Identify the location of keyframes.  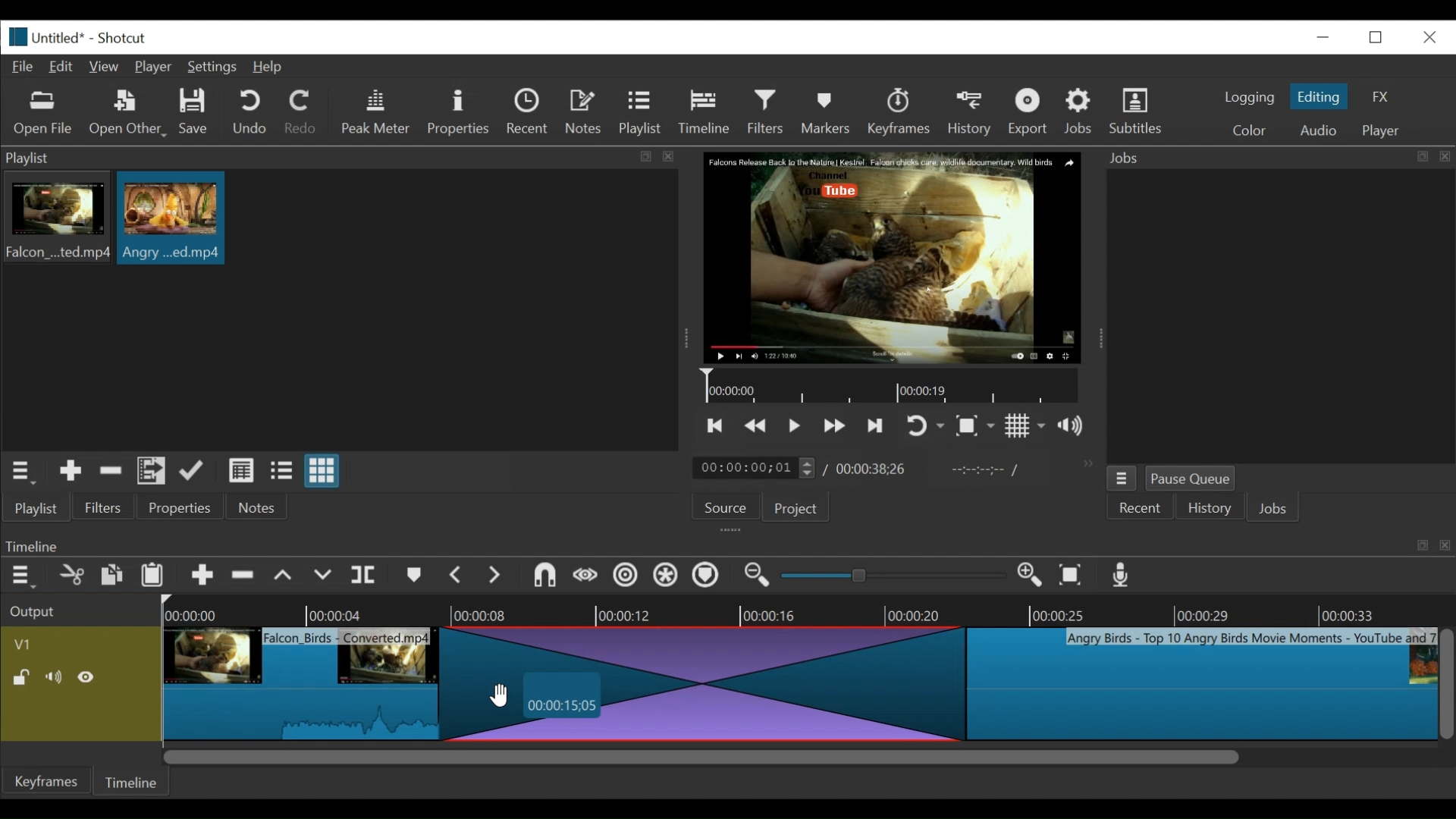
(900, 114).